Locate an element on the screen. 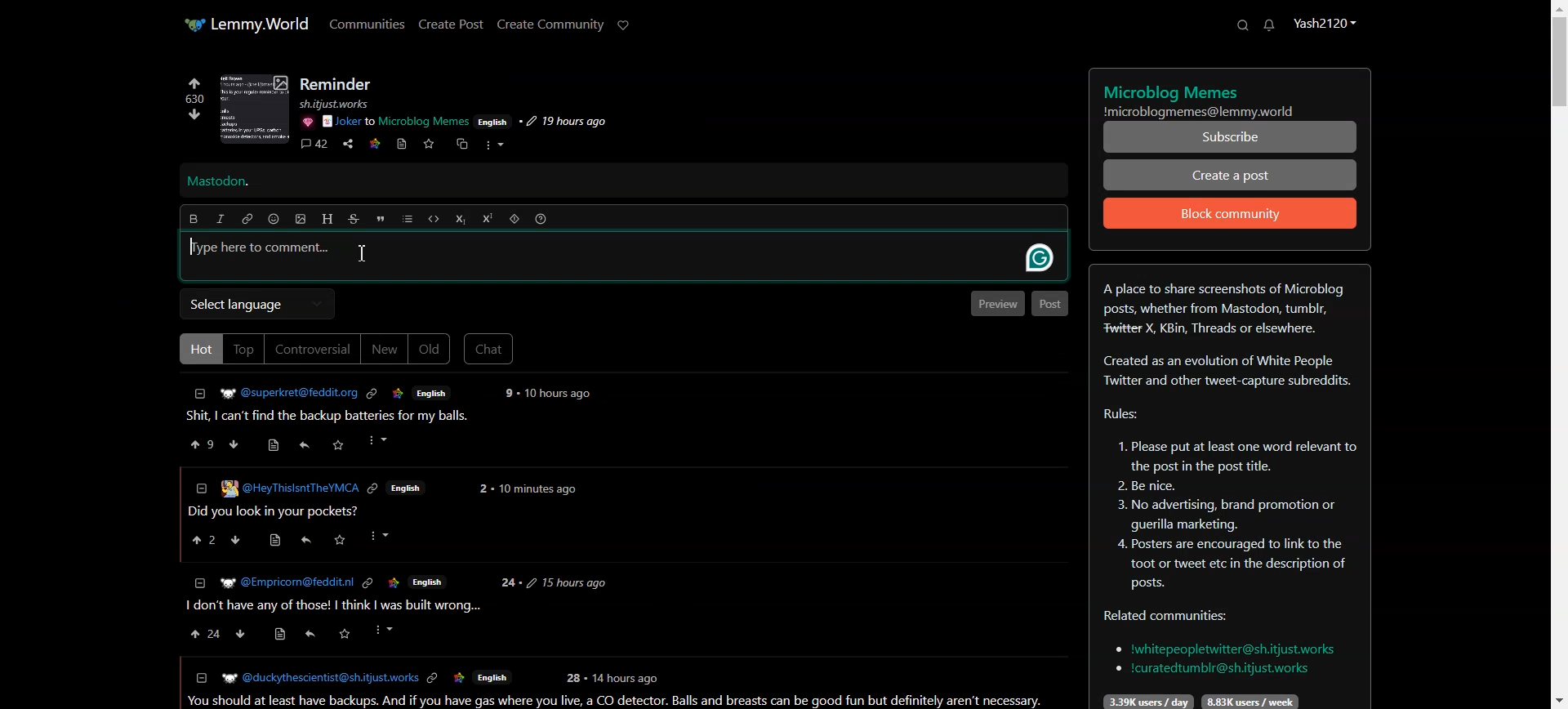  a» 24 is located at coordinates (203, 634).